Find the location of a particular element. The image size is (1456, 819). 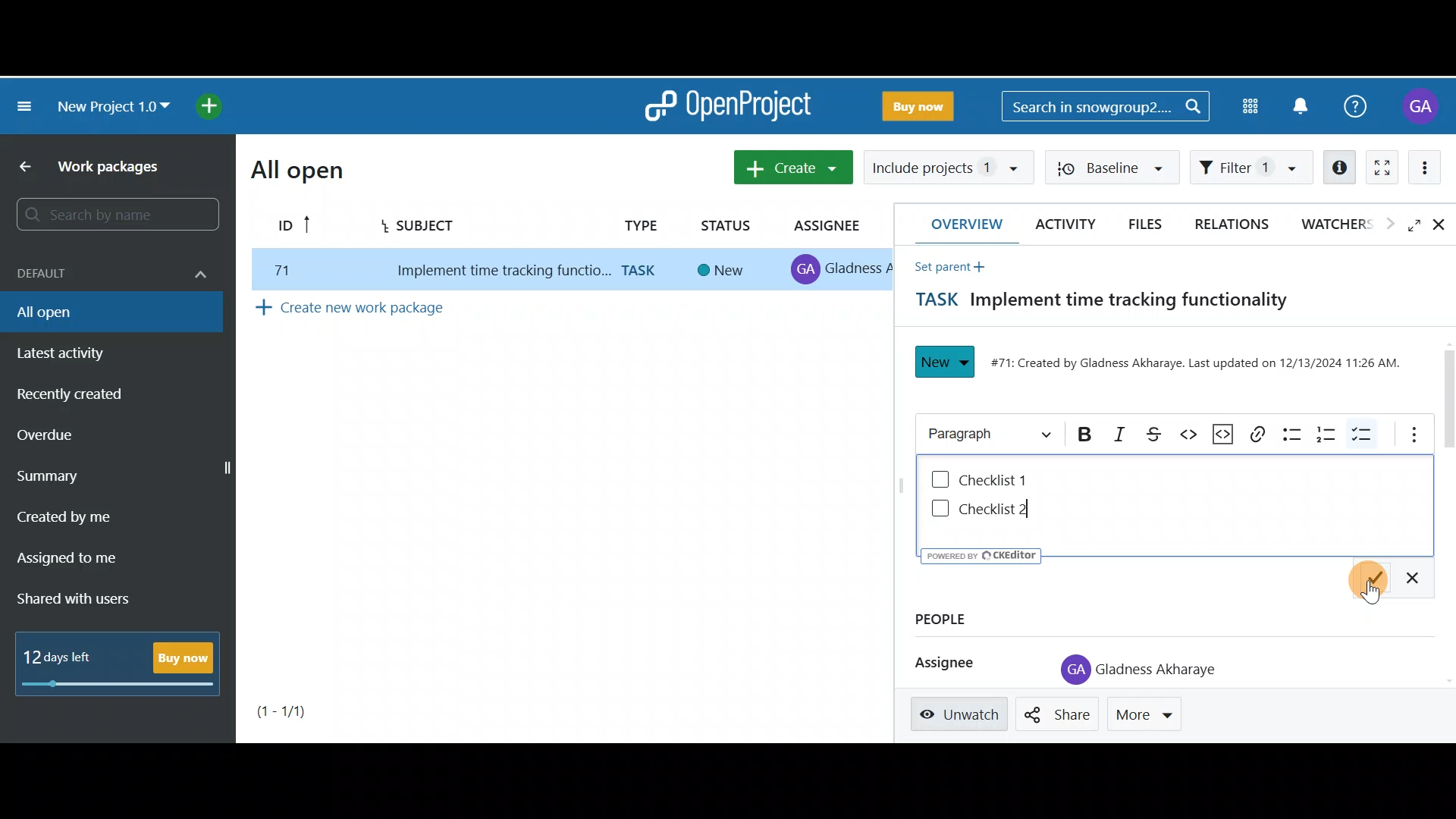

Summary is located at coordinates (63, 475).